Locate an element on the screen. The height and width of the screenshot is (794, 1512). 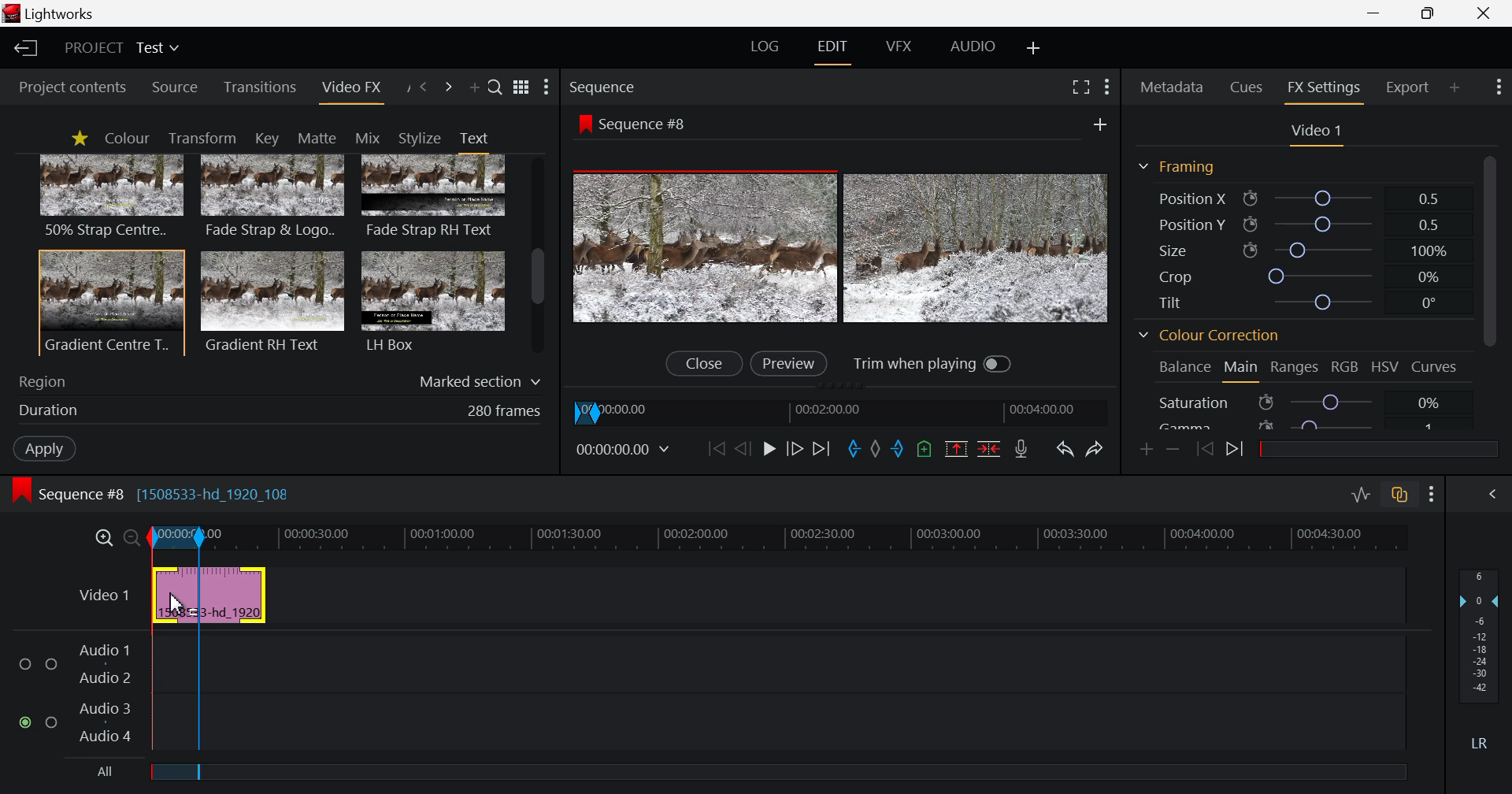
Add is located at coordinates (1095, 123).